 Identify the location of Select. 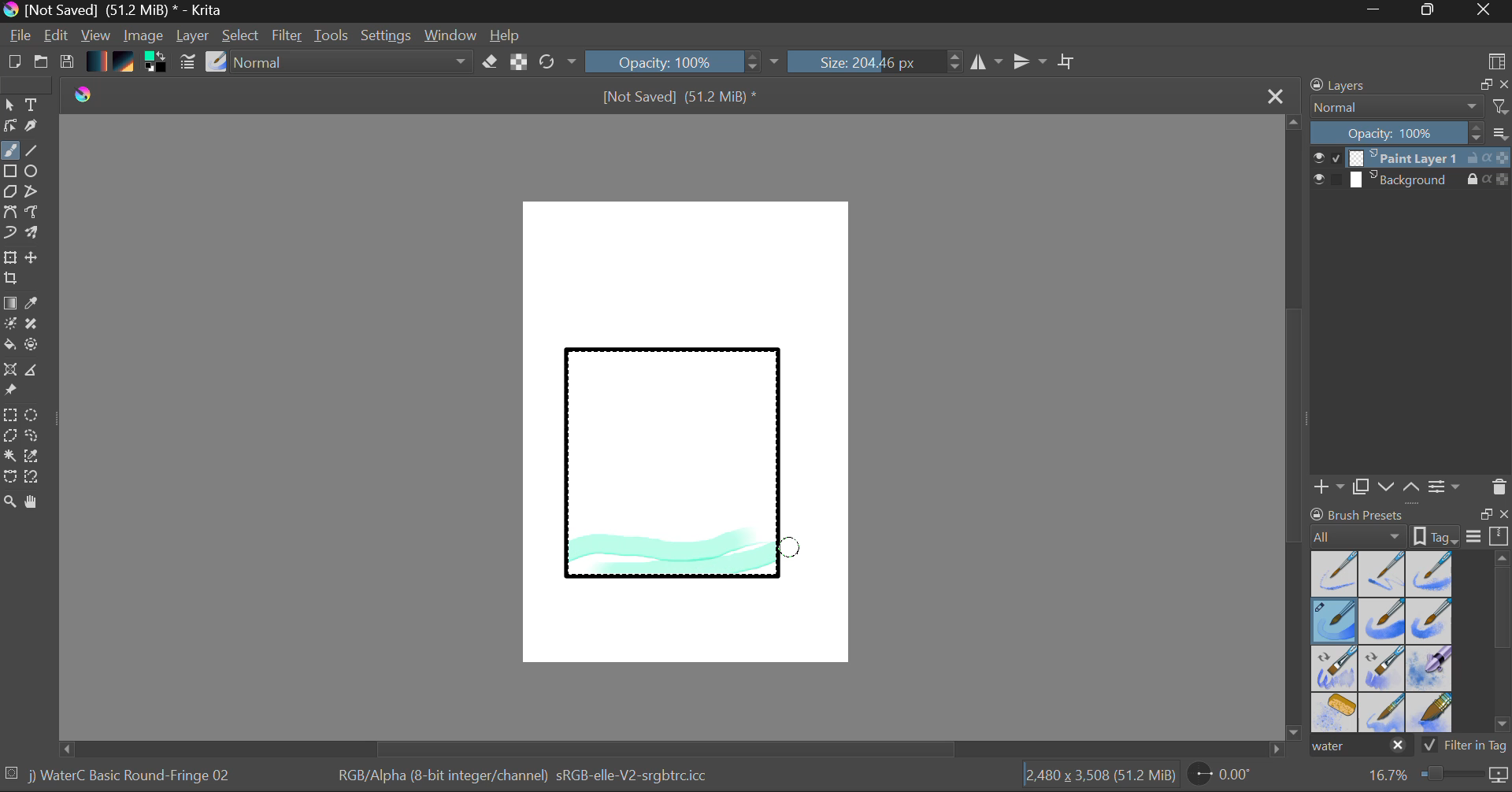
(242, 36).